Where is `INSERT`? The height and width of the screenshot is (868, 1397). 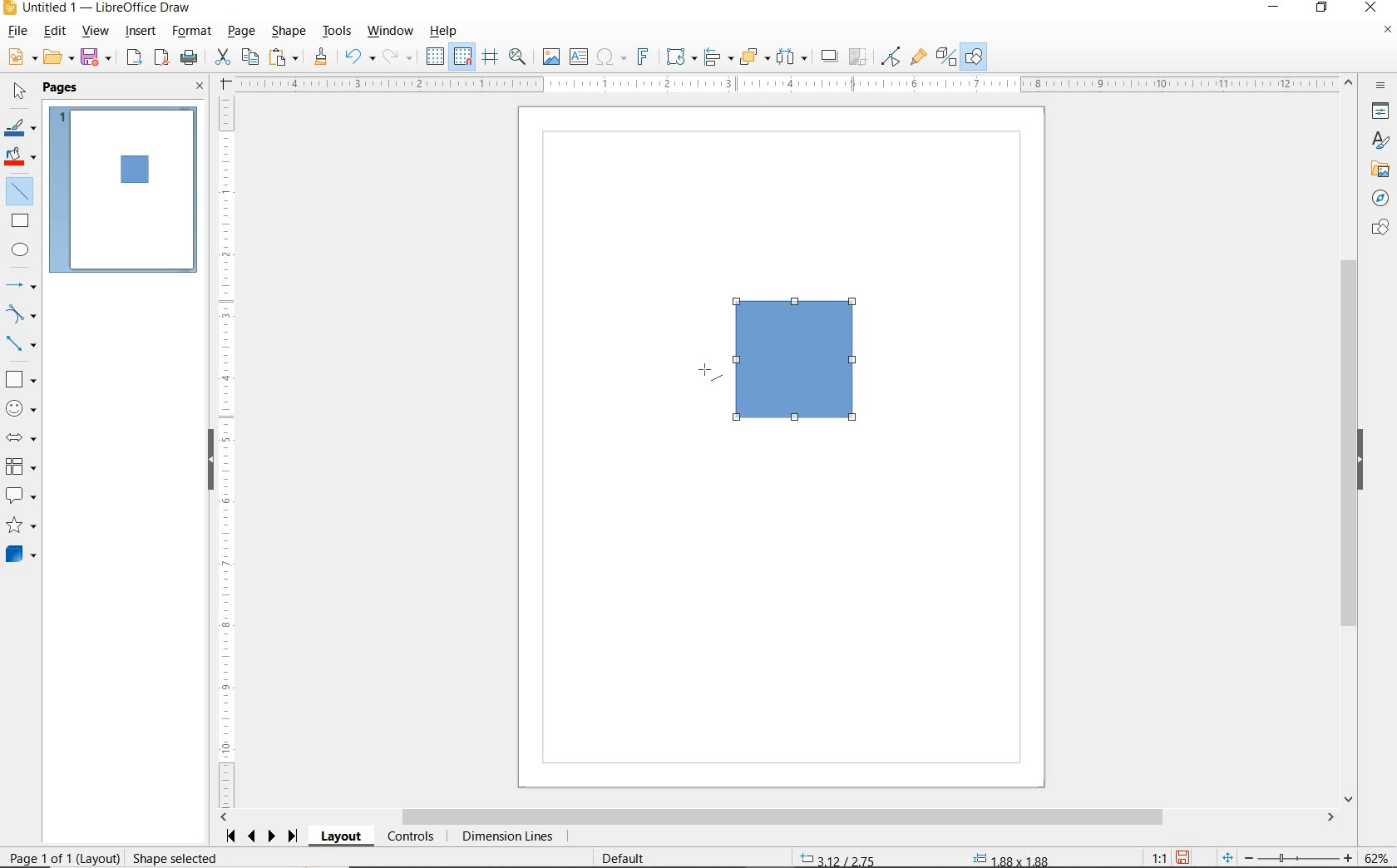
INSERT is located at coordinates (141, 32).